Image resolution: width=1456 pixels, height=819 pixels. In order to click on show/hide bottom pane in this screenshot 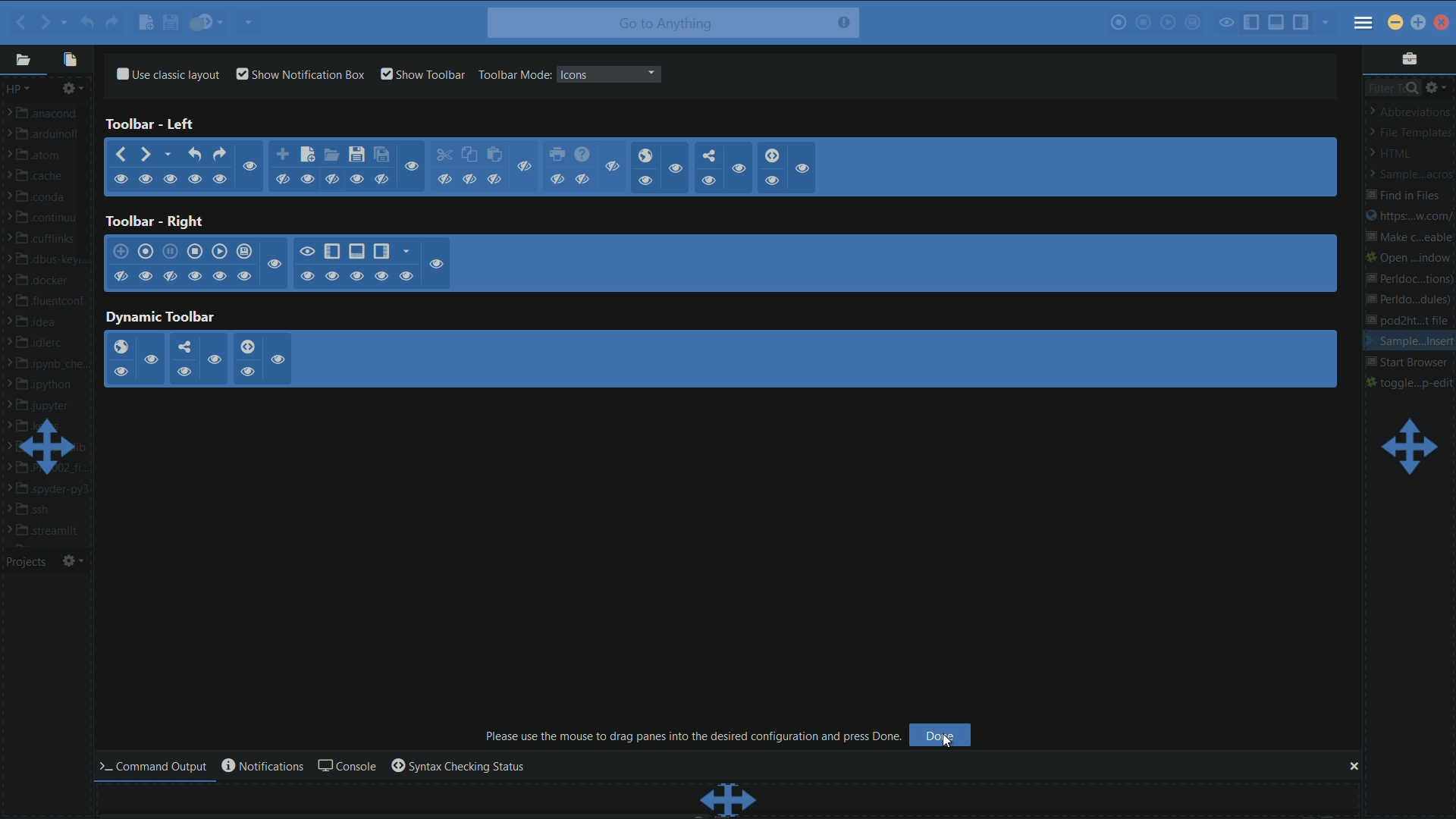, I will do `click(356, 252)`.